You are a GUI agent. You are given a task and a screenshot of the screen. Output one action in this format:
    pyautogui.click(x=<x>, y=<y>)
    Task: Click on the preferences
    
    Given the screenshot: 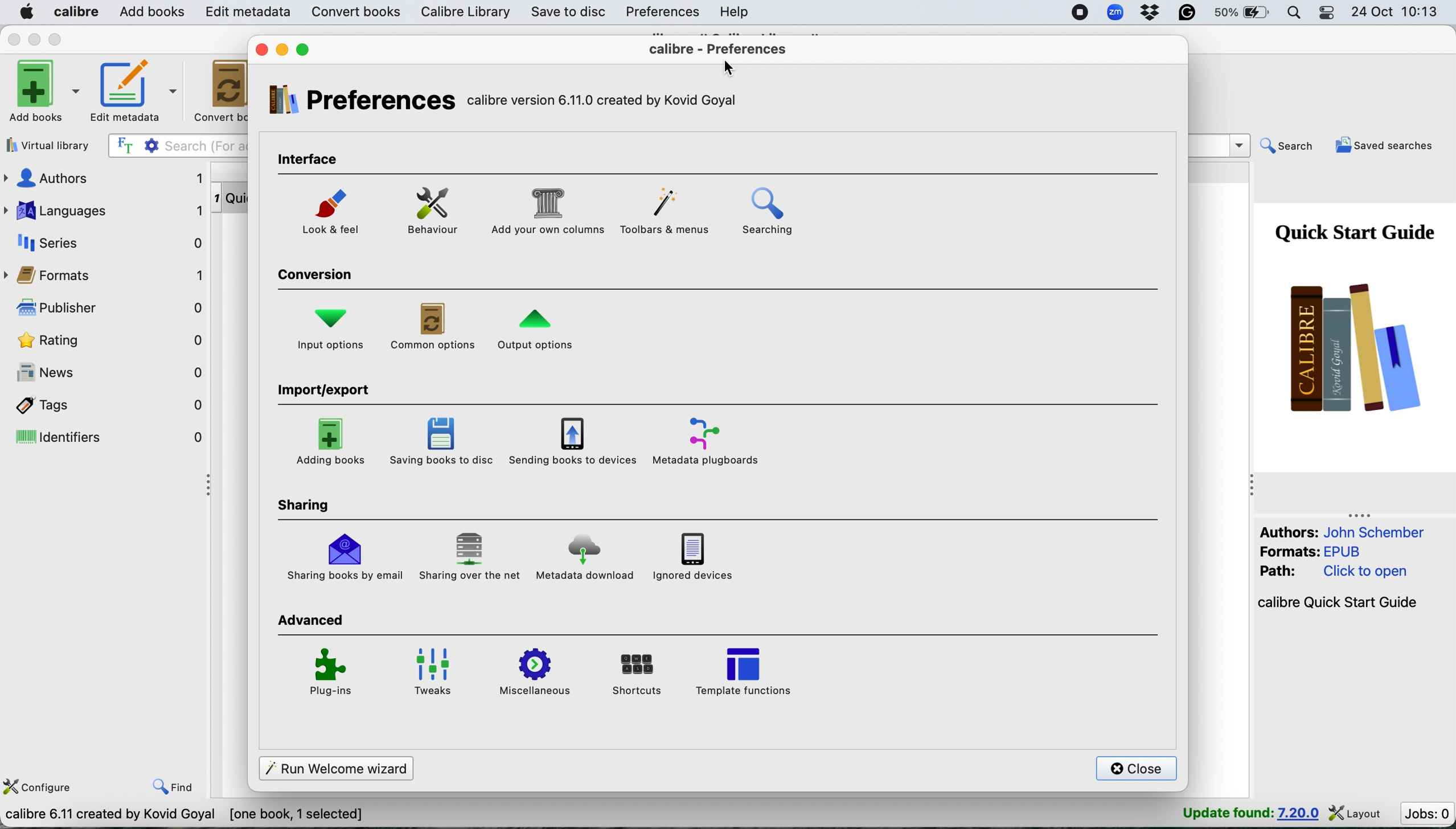 What is the action you would take?
    pyautogui.click(x=664, y=13)
    